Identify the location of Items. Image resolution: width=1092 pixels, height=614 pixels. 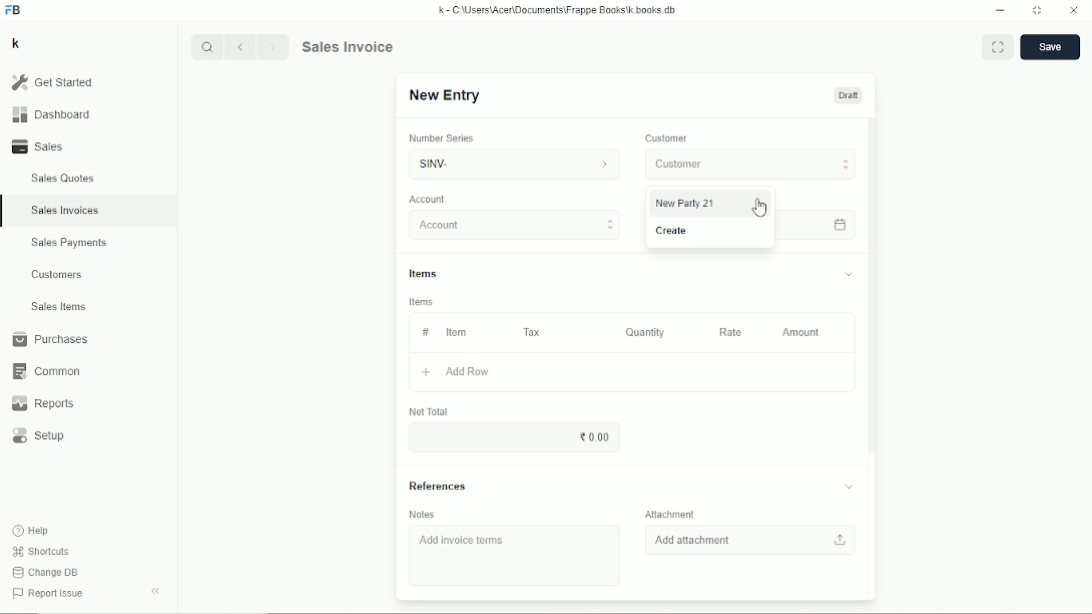
(422, 302).